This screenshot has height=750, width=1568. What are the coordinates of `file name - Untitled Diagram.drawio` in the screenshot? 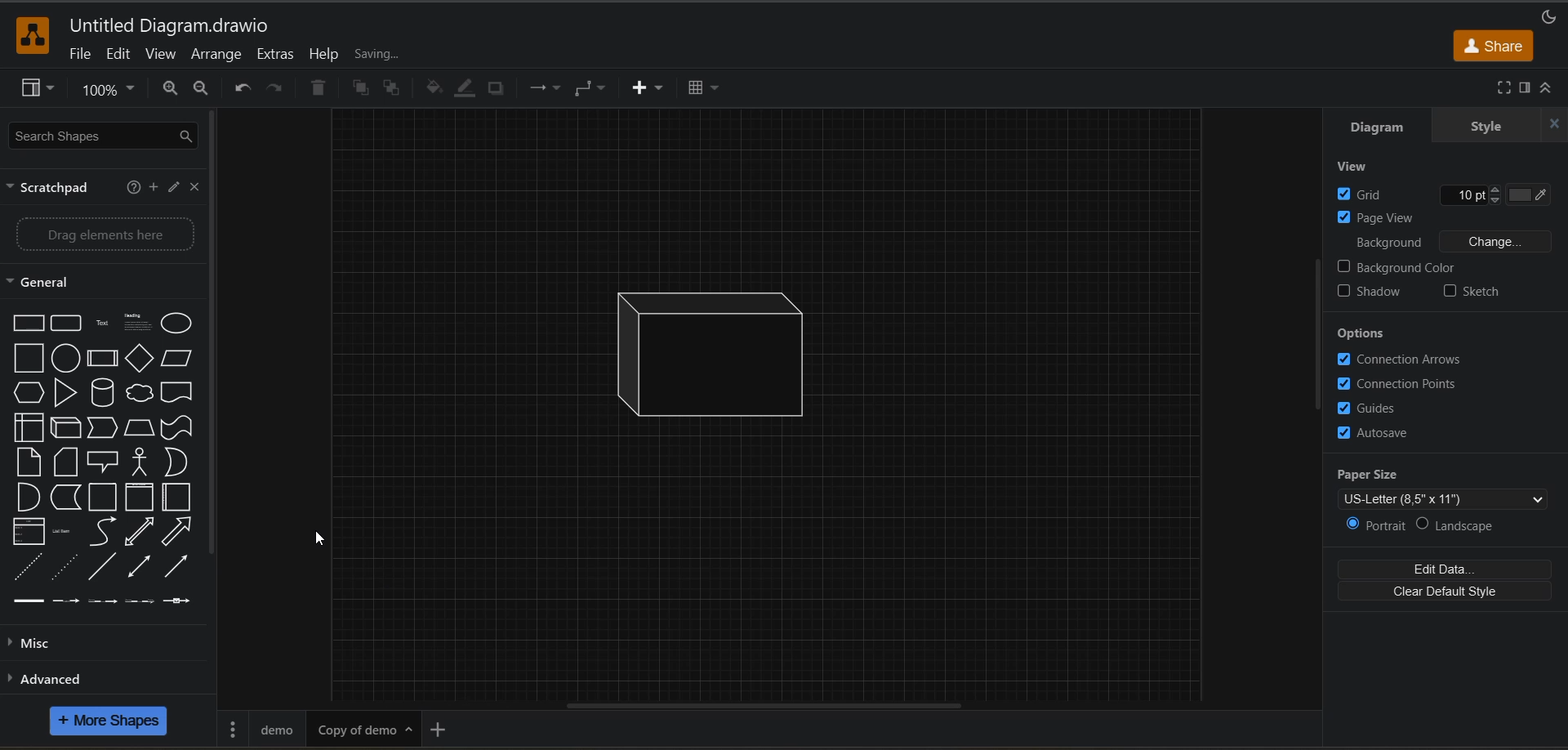 It's located at (177, 26).